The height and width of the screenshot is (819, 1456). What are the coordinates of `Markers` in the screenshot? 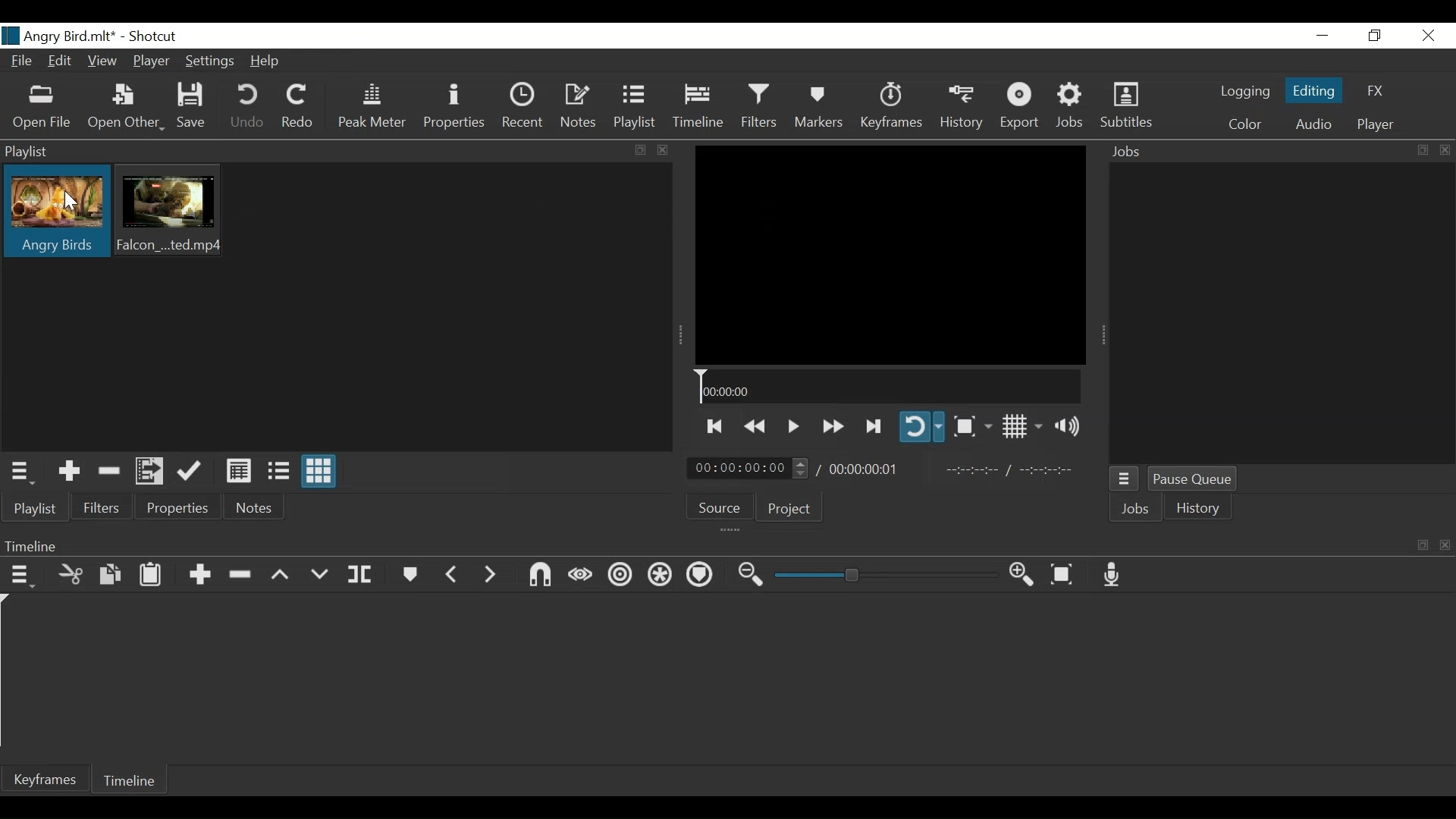 It's located at (411, 573).